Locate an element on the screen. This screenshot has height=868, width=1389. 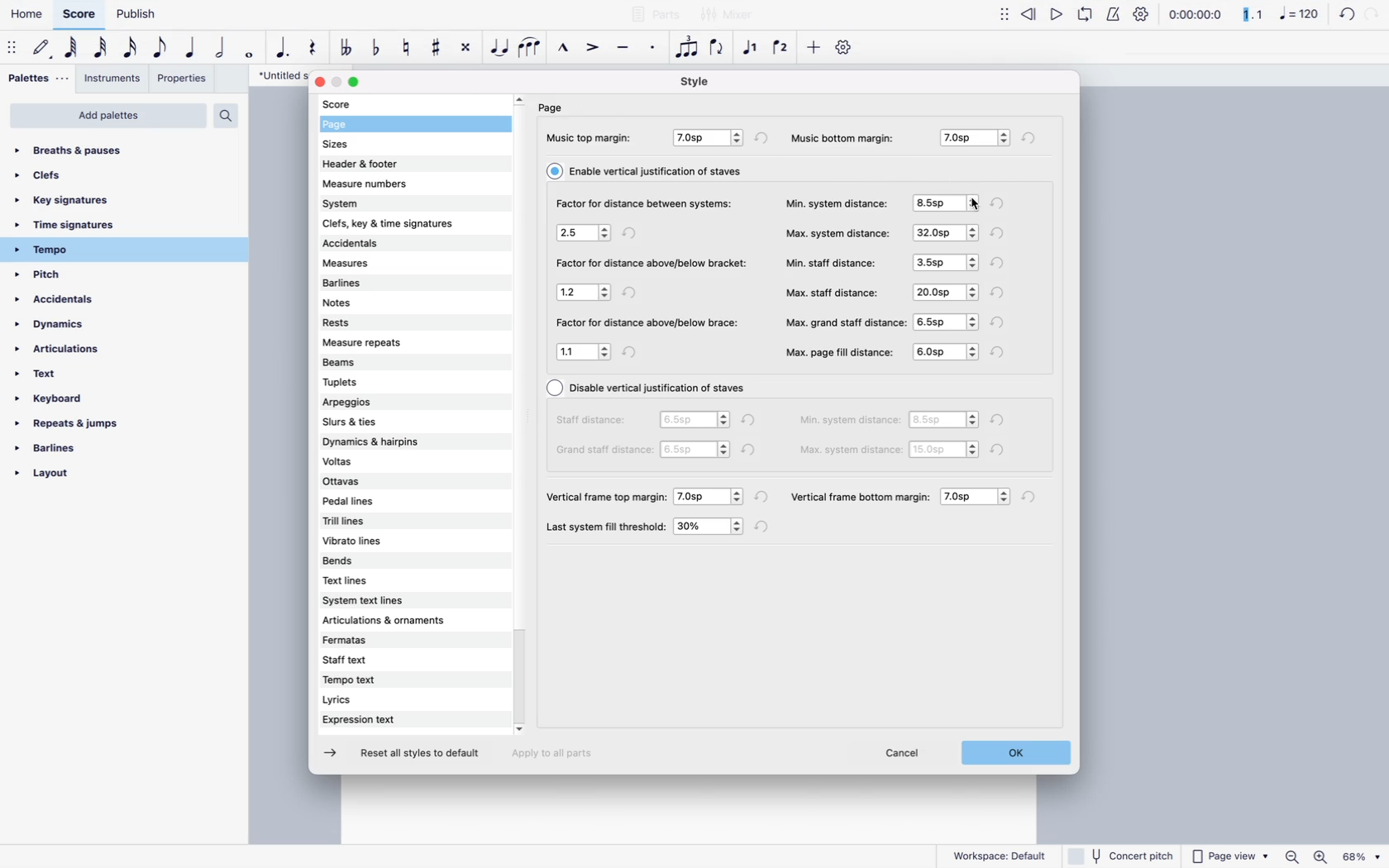
ottavas is located at coordinates (370, 483).